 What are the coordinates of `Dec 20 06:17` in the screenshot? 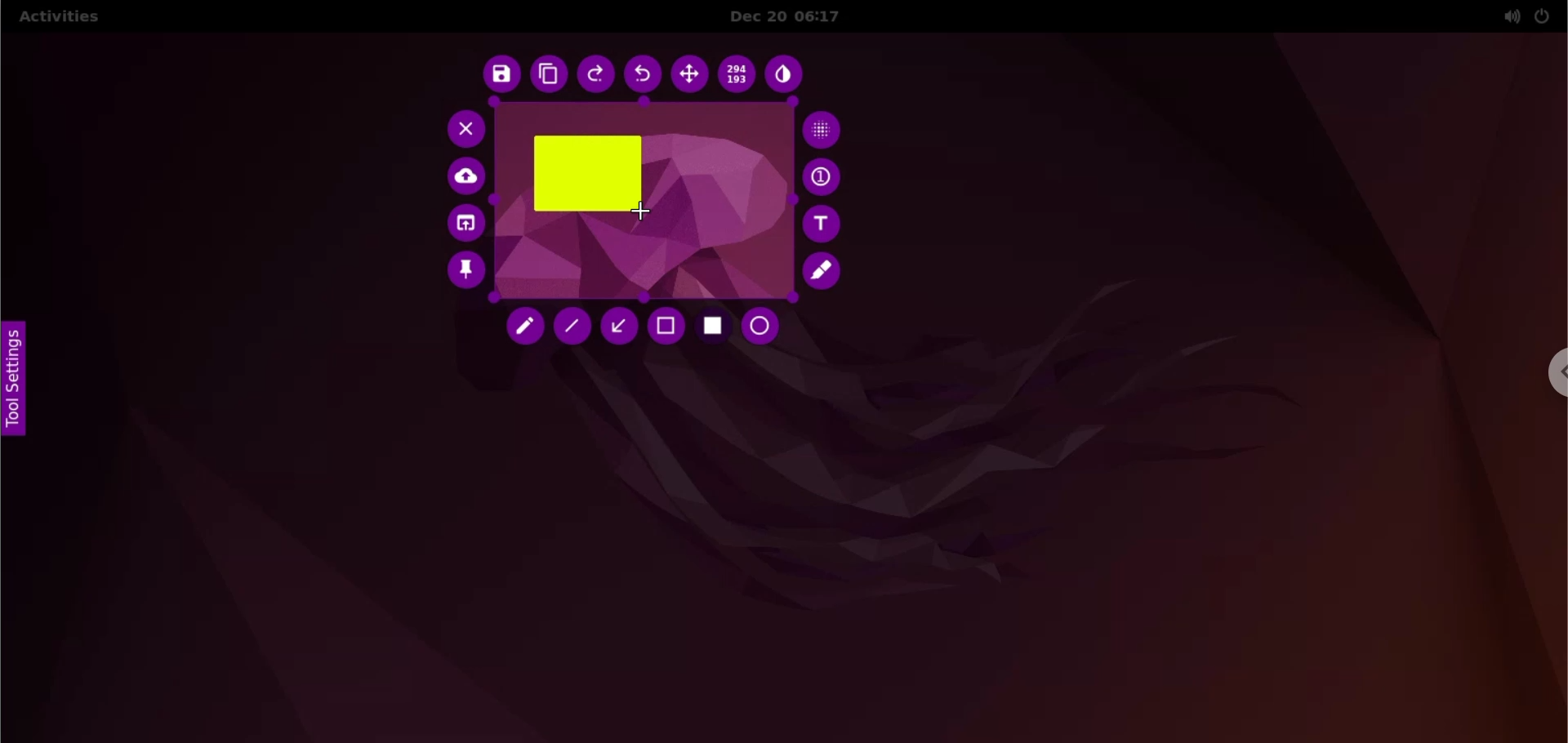 It's located at (797, 16).